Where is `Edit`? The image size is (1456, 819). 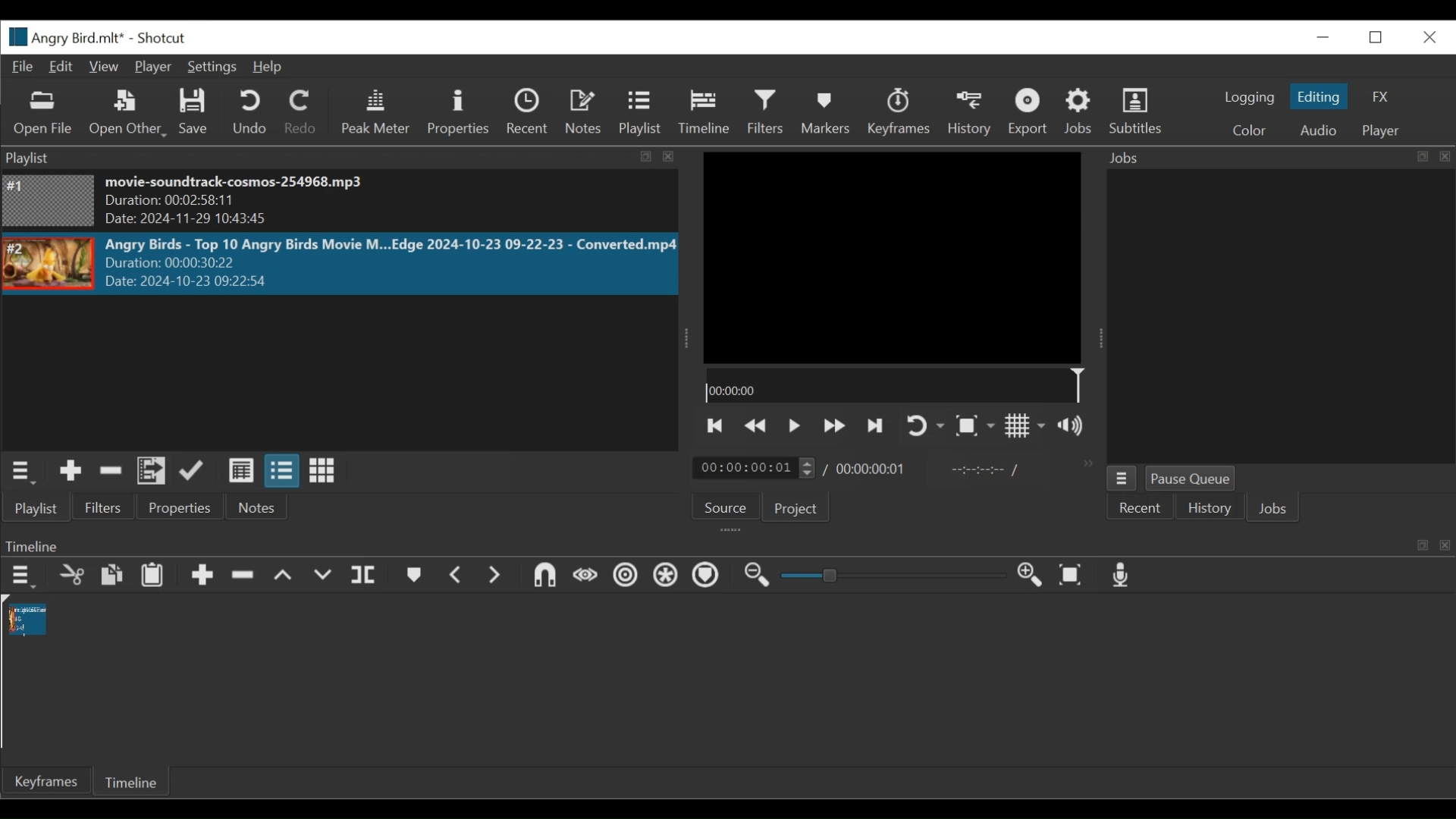 Edit is located at coordinates (61, 66).